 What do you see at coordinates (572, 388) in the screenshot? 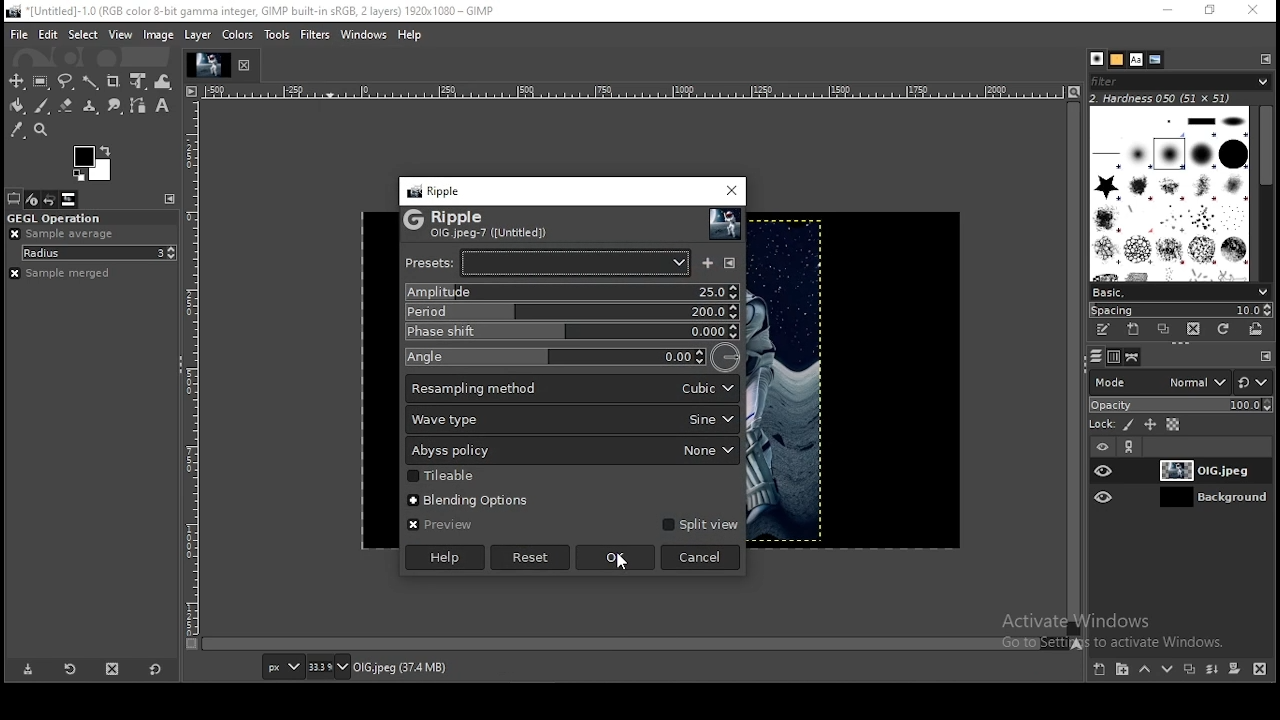
I see `resampling method` at bounding box center [572, 388].